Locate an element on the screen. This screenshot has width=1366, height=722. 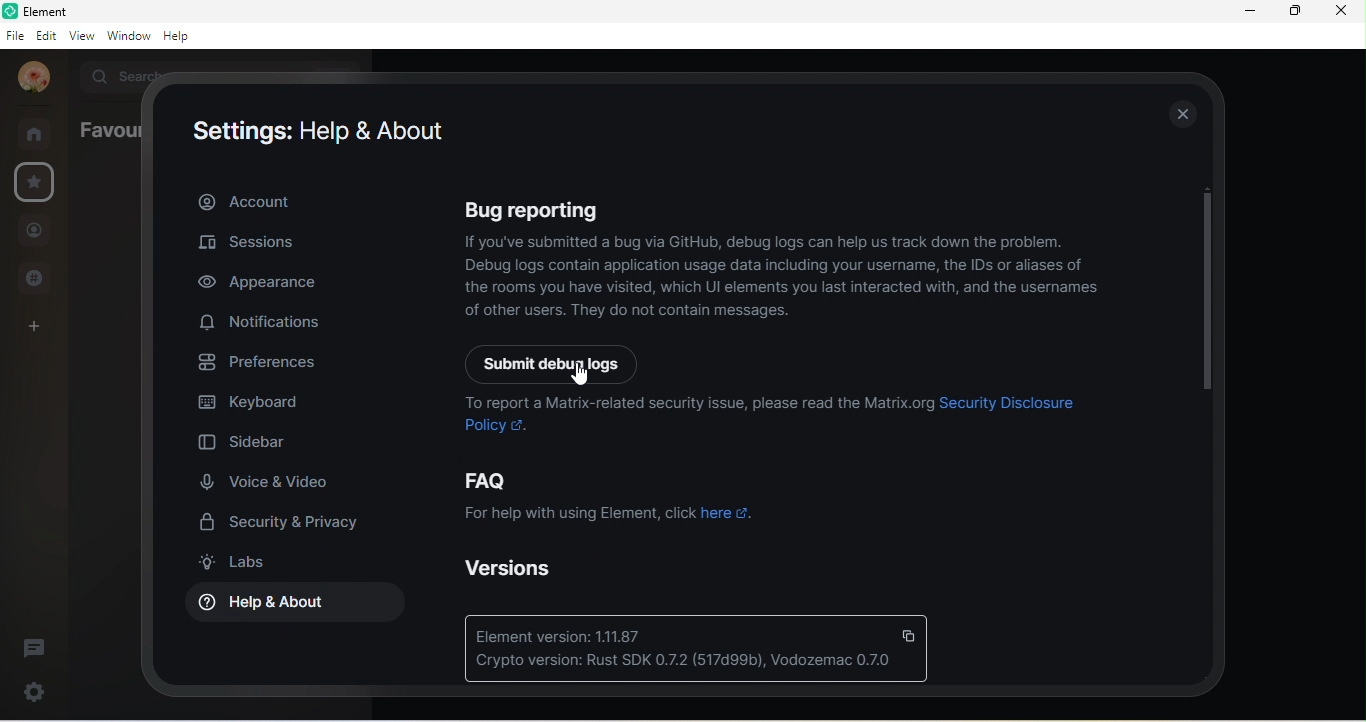
cursor is located at coordinates (582, 379).